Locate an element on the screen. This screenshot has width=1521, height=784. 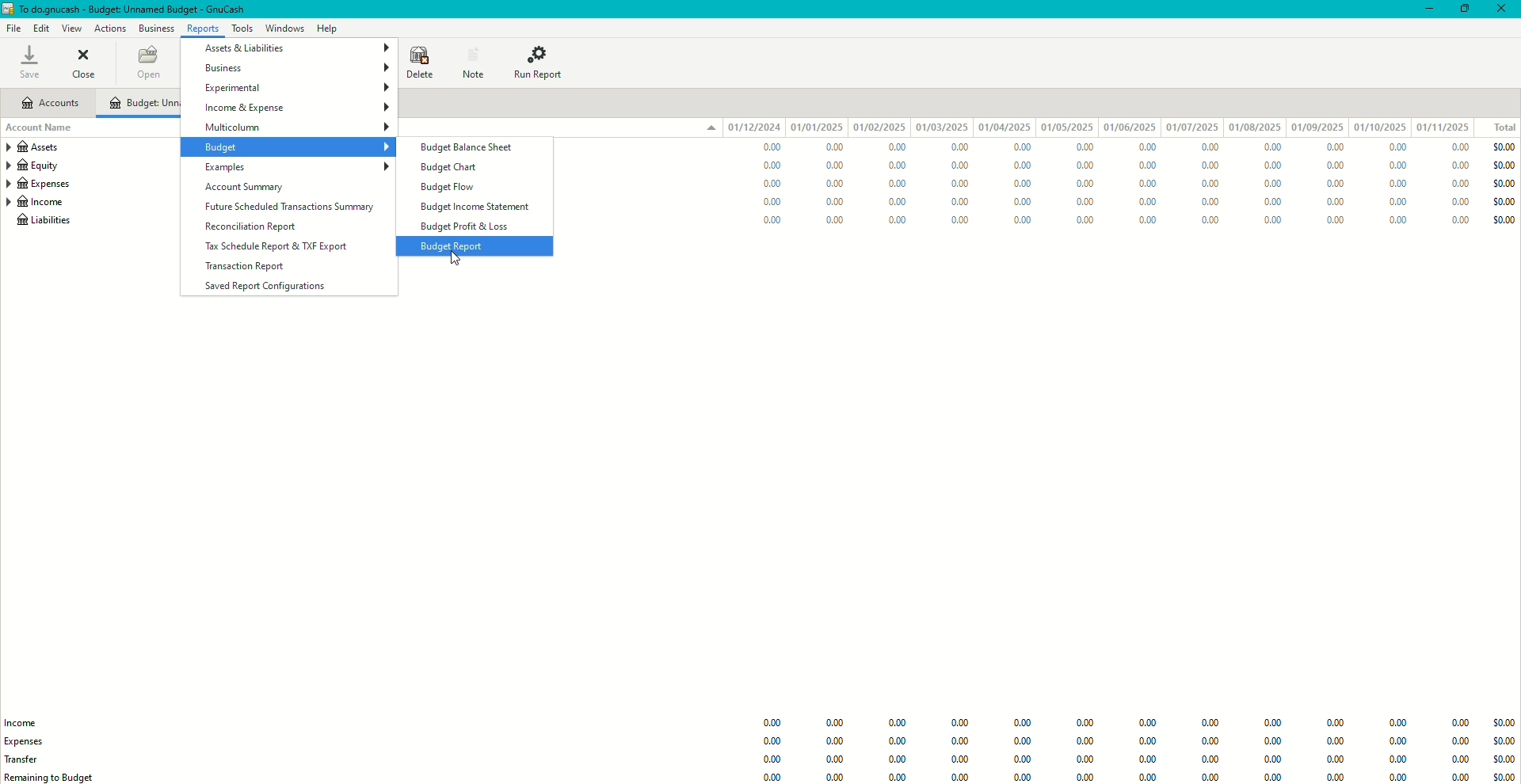
0.00 is located at coordinates (1340, 219).